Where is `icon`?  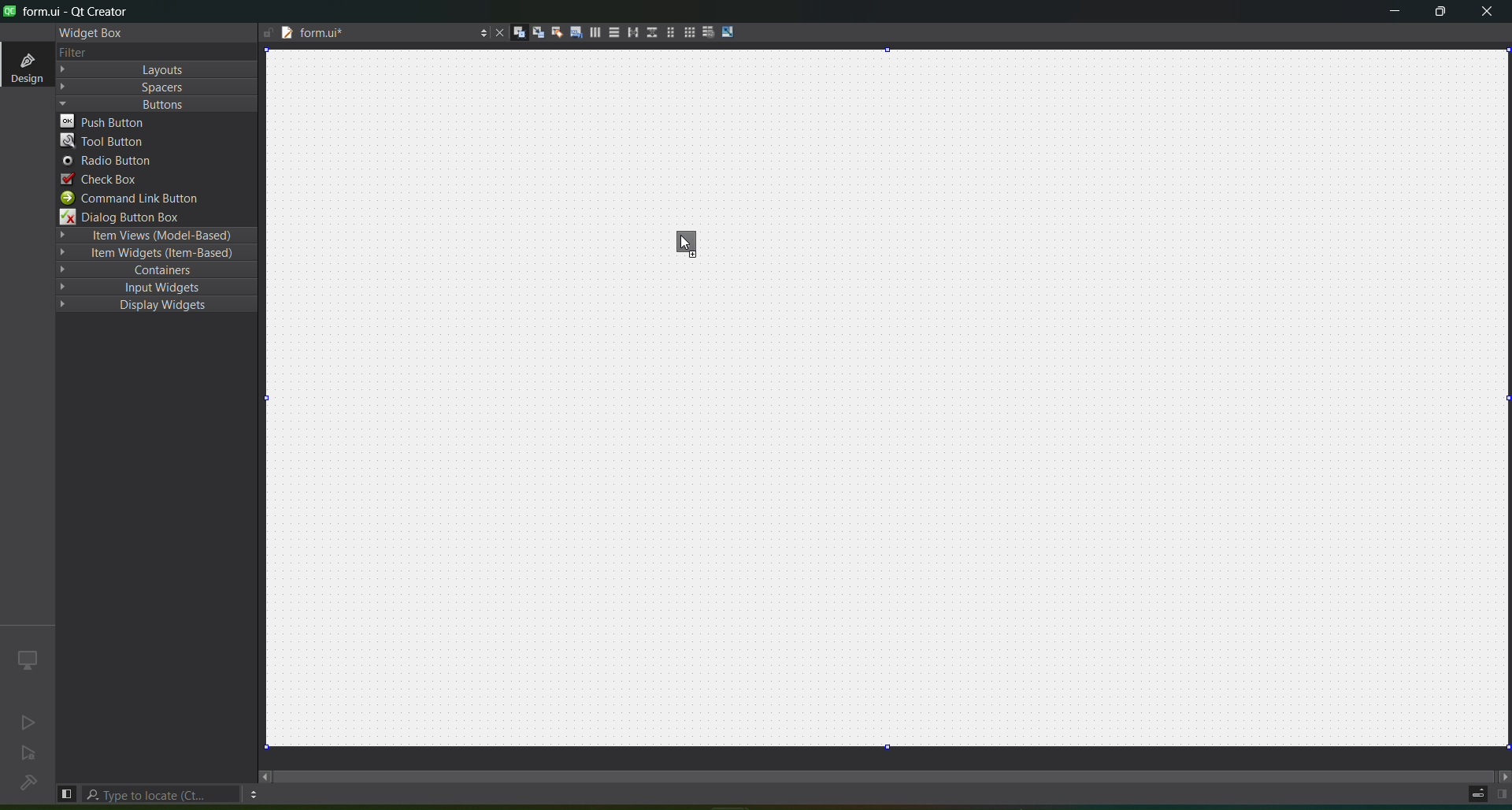
icon is located at coordinates (28, 659).